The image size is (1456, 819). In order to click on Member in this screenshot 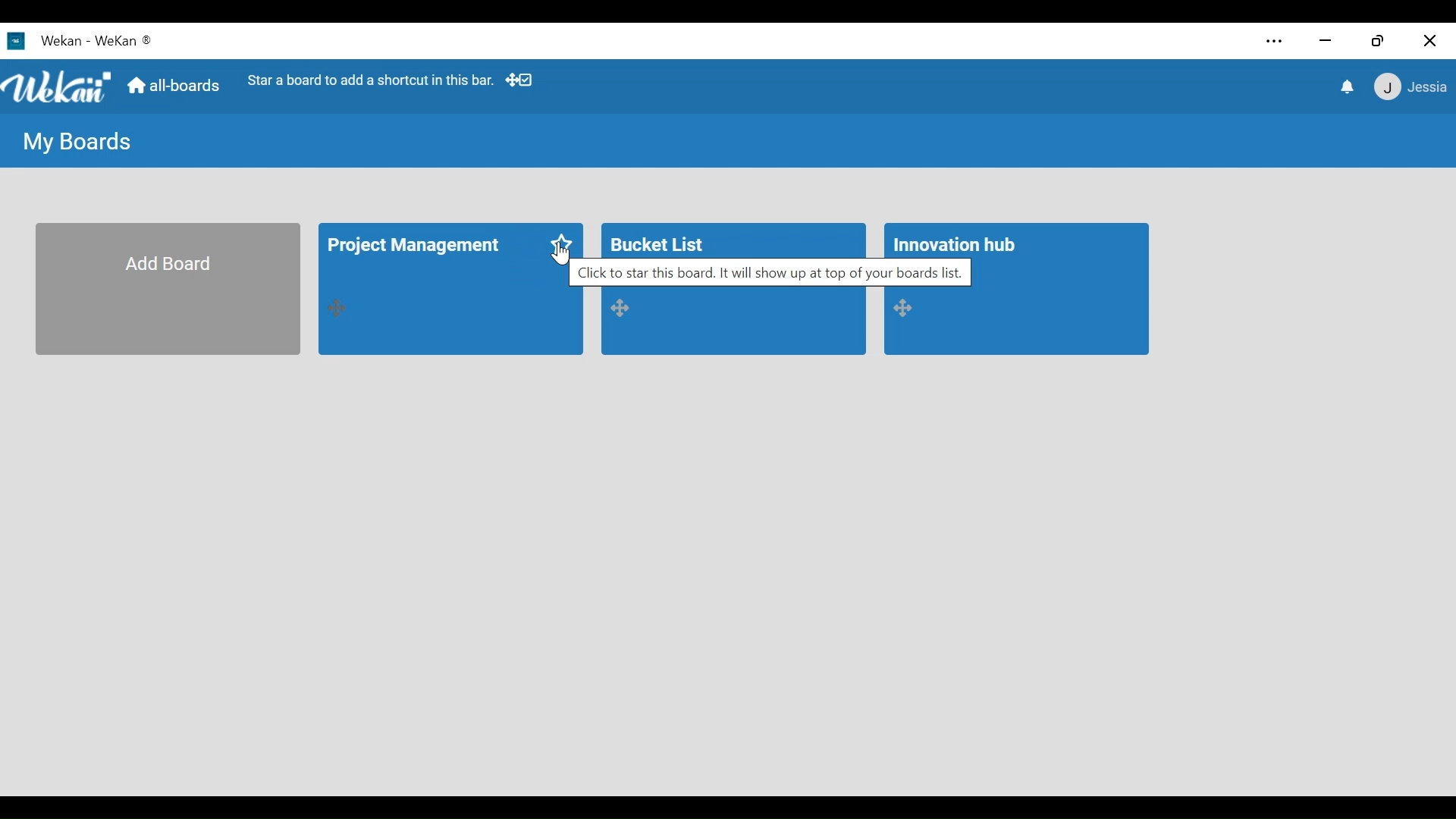, I will do `click(1408, 88)`.